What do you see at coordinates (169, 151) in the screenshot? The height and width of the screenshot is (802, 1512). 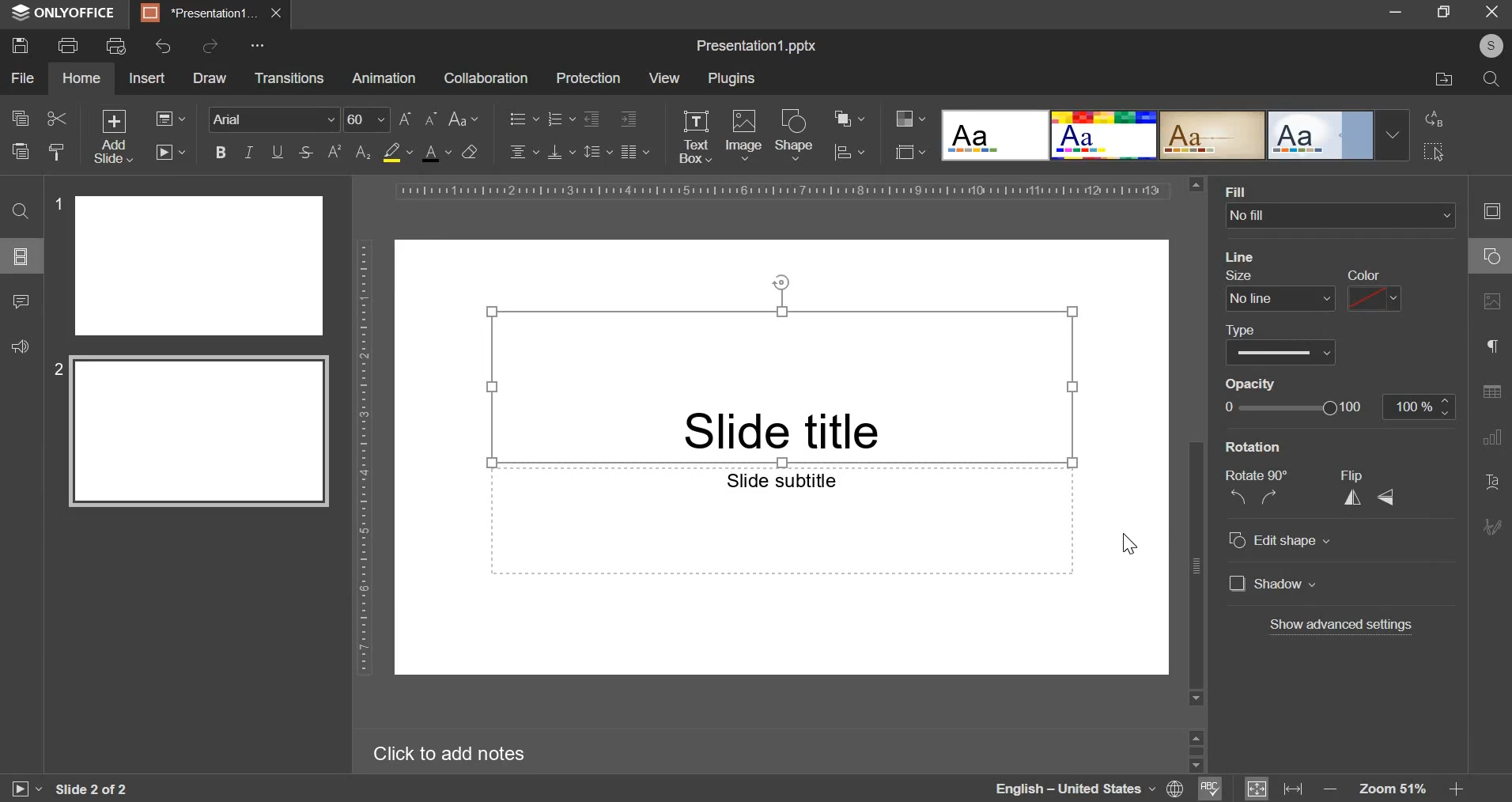 I see `slideshow` at bounding box center [169, 151].